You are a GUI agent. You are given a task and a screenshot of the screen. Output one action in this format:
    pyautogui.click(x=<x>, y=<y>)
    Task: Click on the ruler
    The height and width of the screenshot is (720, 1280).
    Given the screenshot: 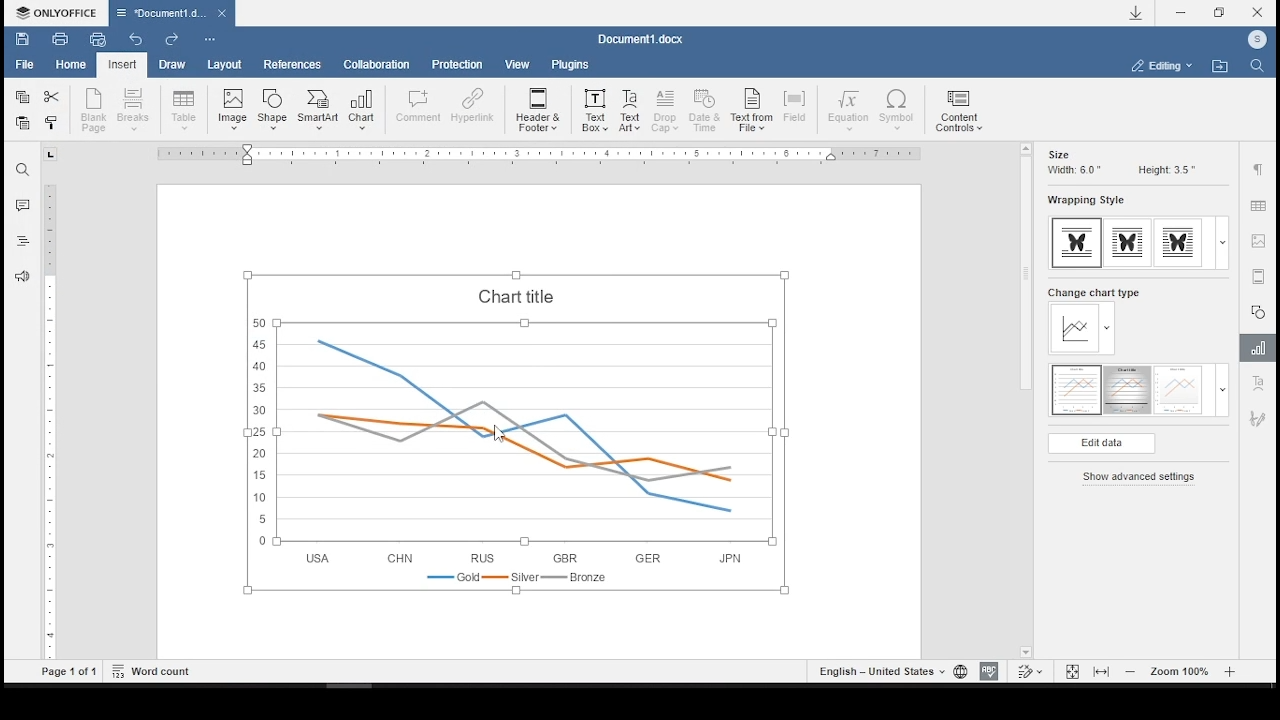 What is the action you would take?
    pyautogui.click(x=528, y=155)
    